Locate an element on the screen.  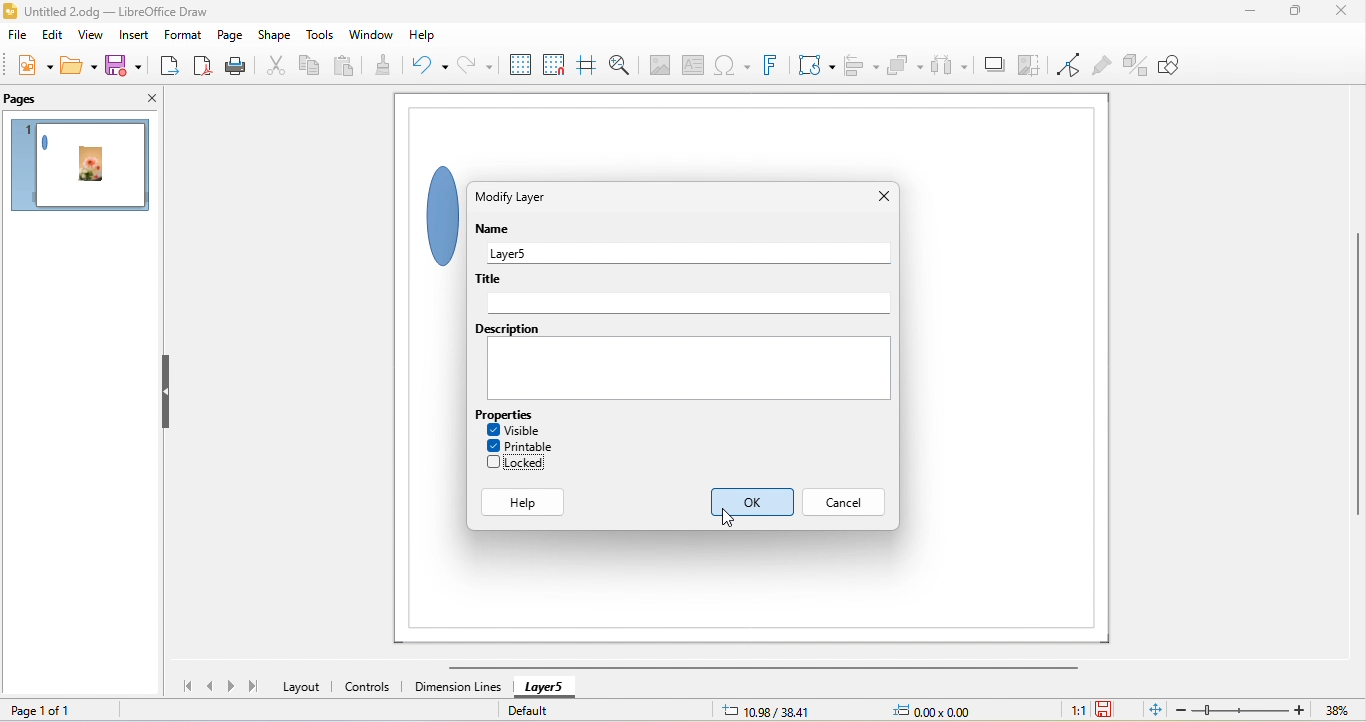
vertical scroll bar is located at coordinates (1354, 377).